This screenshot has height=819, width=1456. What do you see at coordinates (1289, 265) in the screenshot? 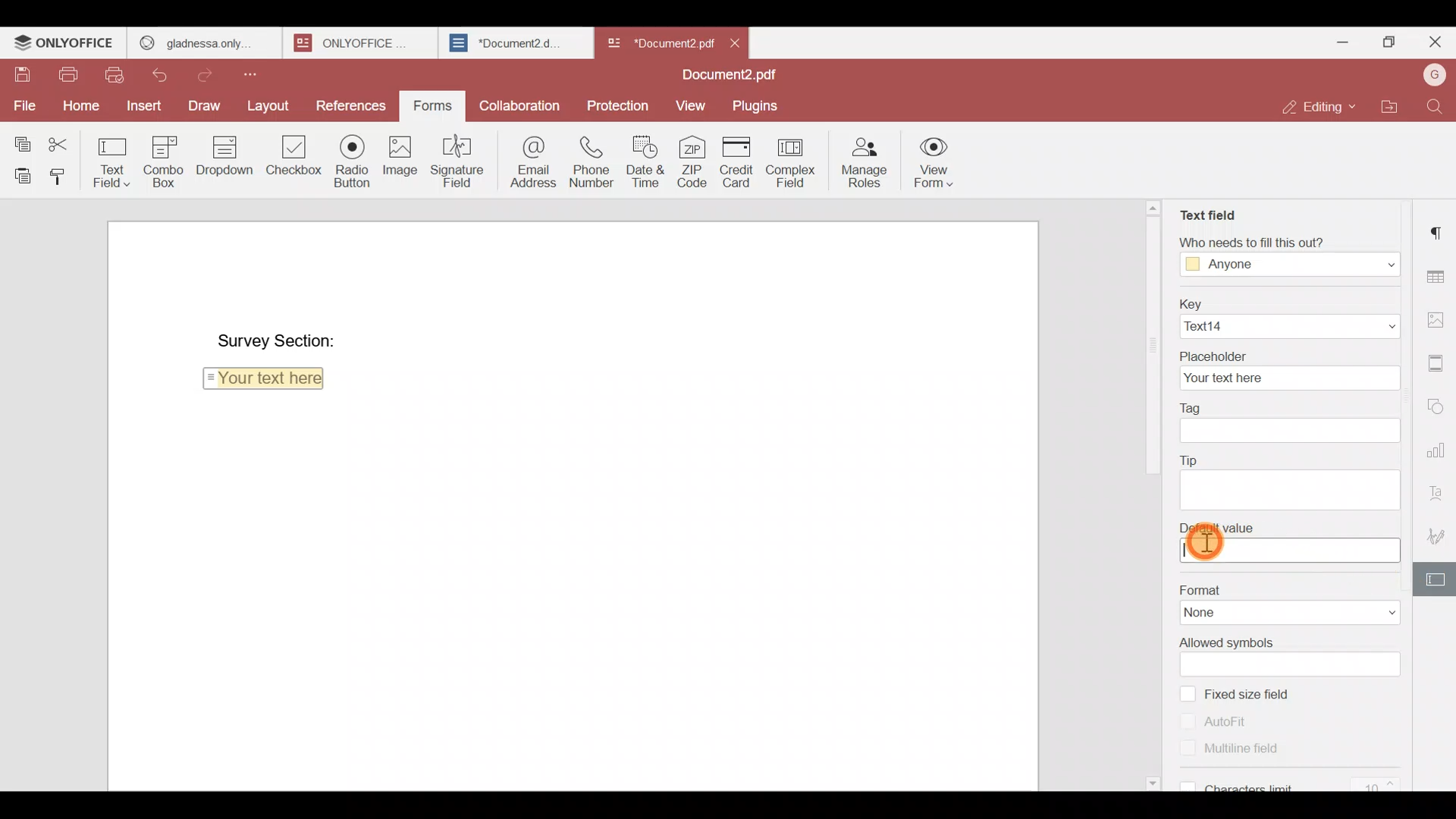
I see `Anyone` at bounding box center [1289, 265].